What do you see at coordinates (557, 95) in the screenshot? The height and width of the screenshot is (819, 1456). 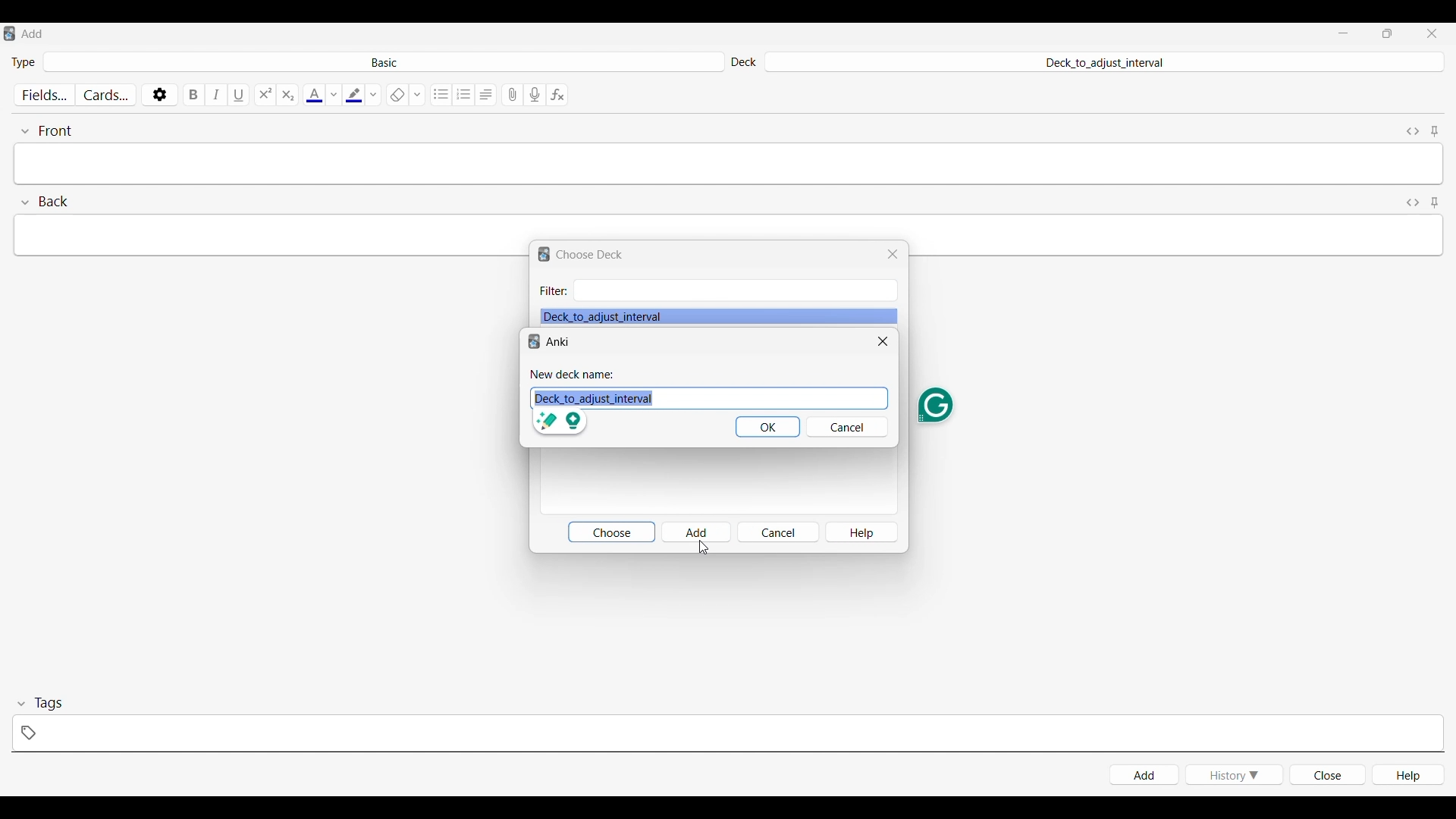 I see `Equations` at bounding box center [557, 95].